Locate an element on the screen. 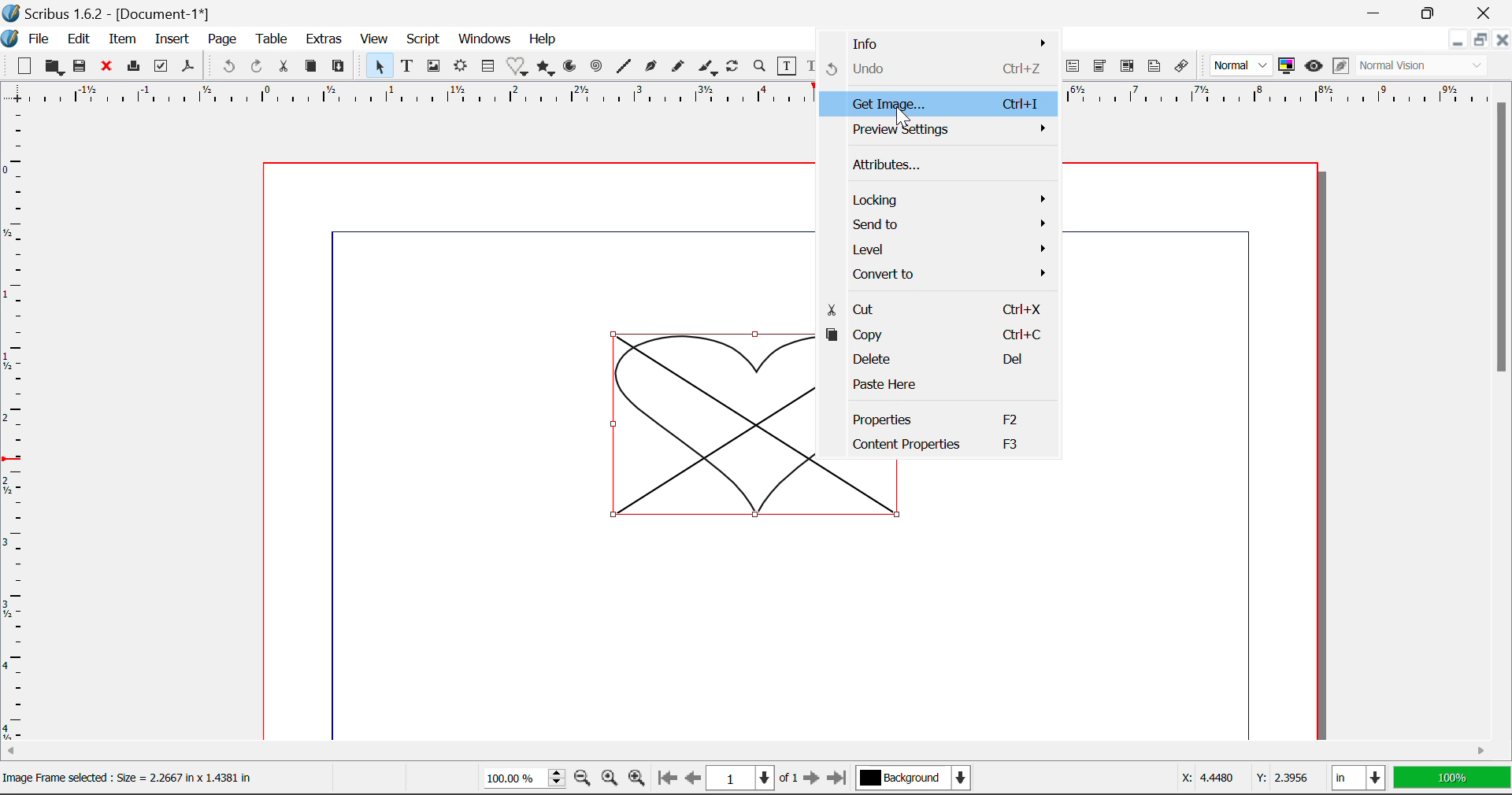 The width and height of the screenshot is (1512, 795). Paste is located at coordinates (342, 65).